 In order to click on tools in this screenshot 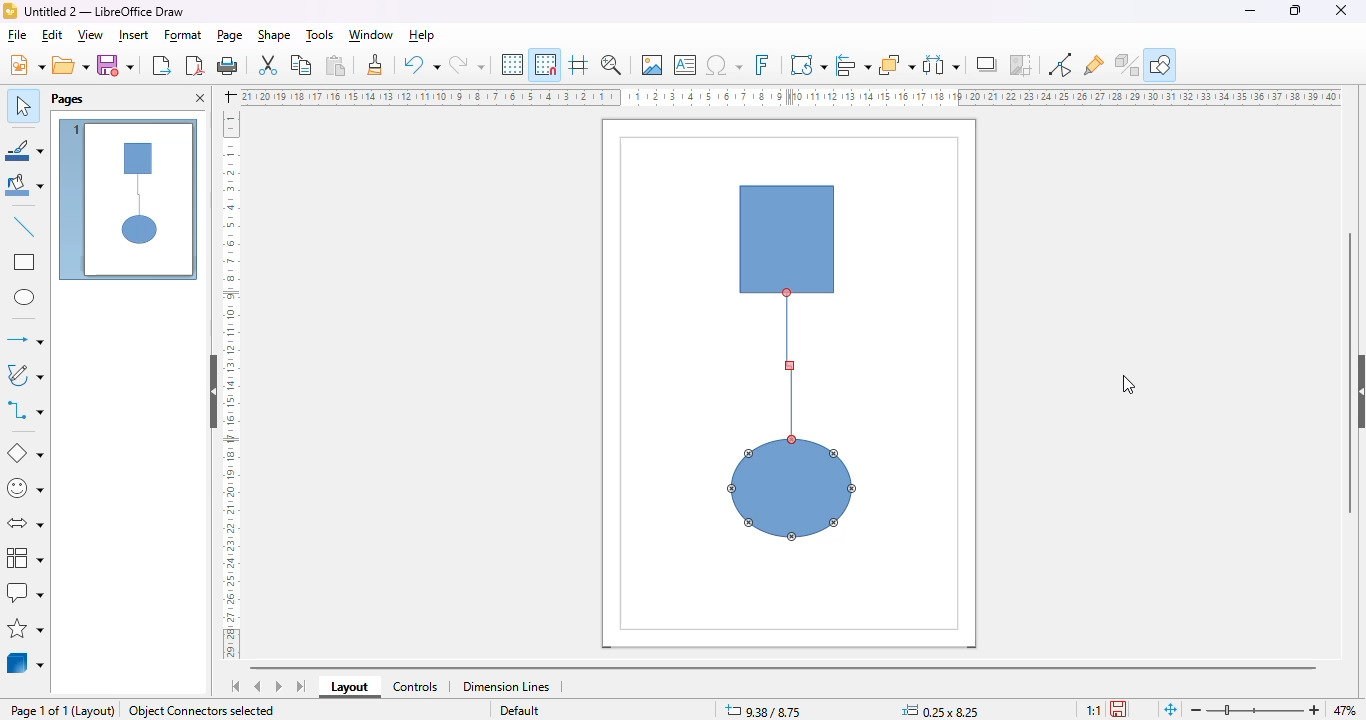, I will do `click(321, 35)`.